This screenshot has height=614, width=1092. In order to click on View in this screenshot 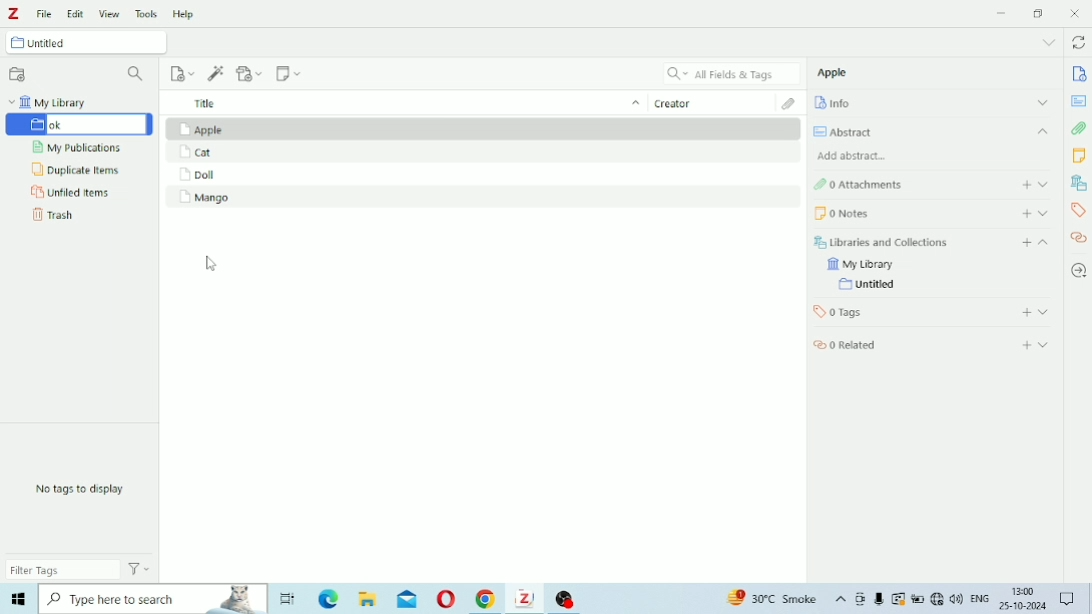, I will do `click(109, 13)`.